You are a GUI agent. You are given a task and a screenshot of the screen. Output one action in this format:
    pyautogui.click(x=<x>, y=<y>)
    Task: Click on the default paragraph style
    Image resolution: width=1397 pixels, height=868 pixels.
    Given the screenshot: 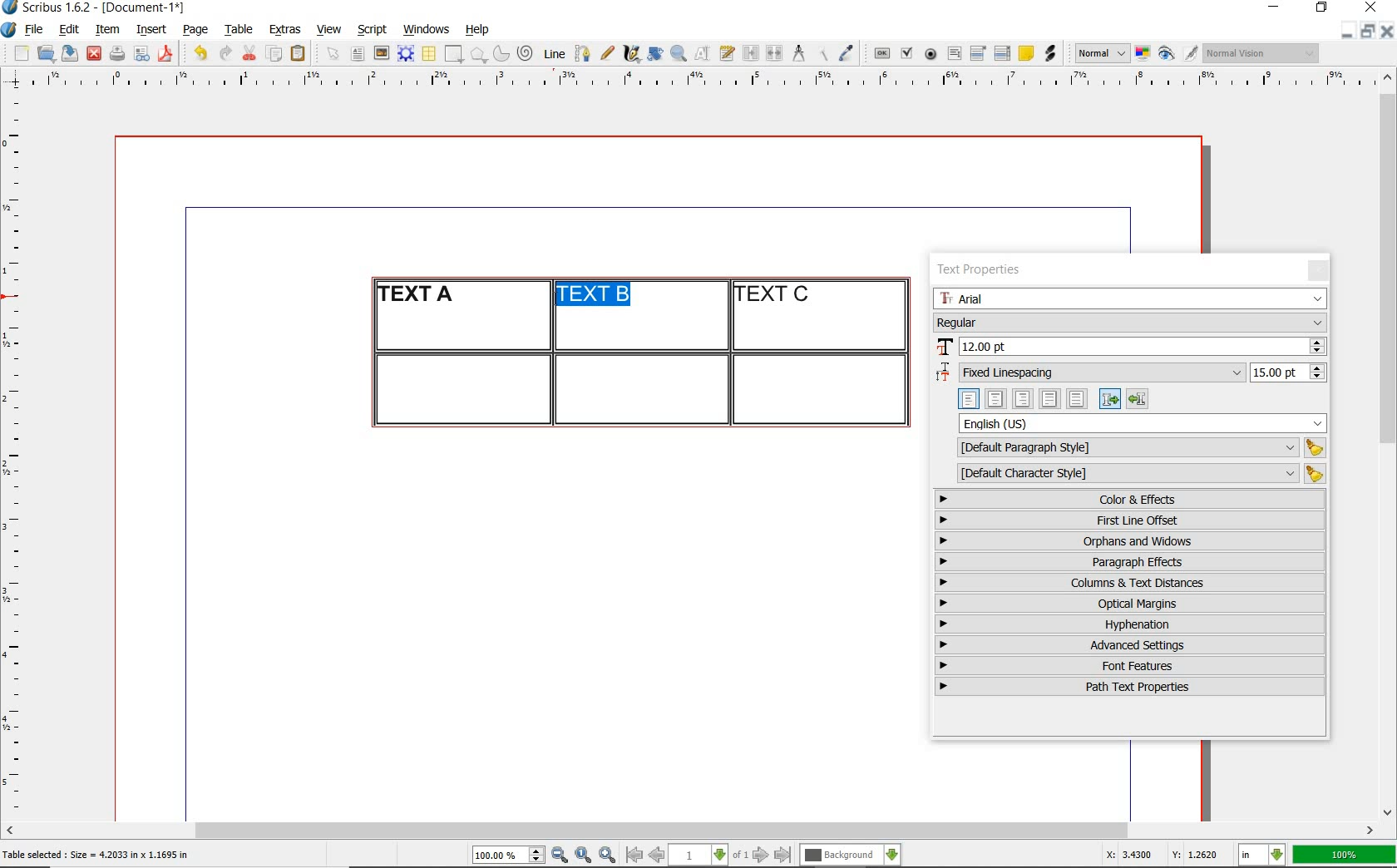 What is the action you would take?
    pyautogui.click(x=1138, y=448)
    